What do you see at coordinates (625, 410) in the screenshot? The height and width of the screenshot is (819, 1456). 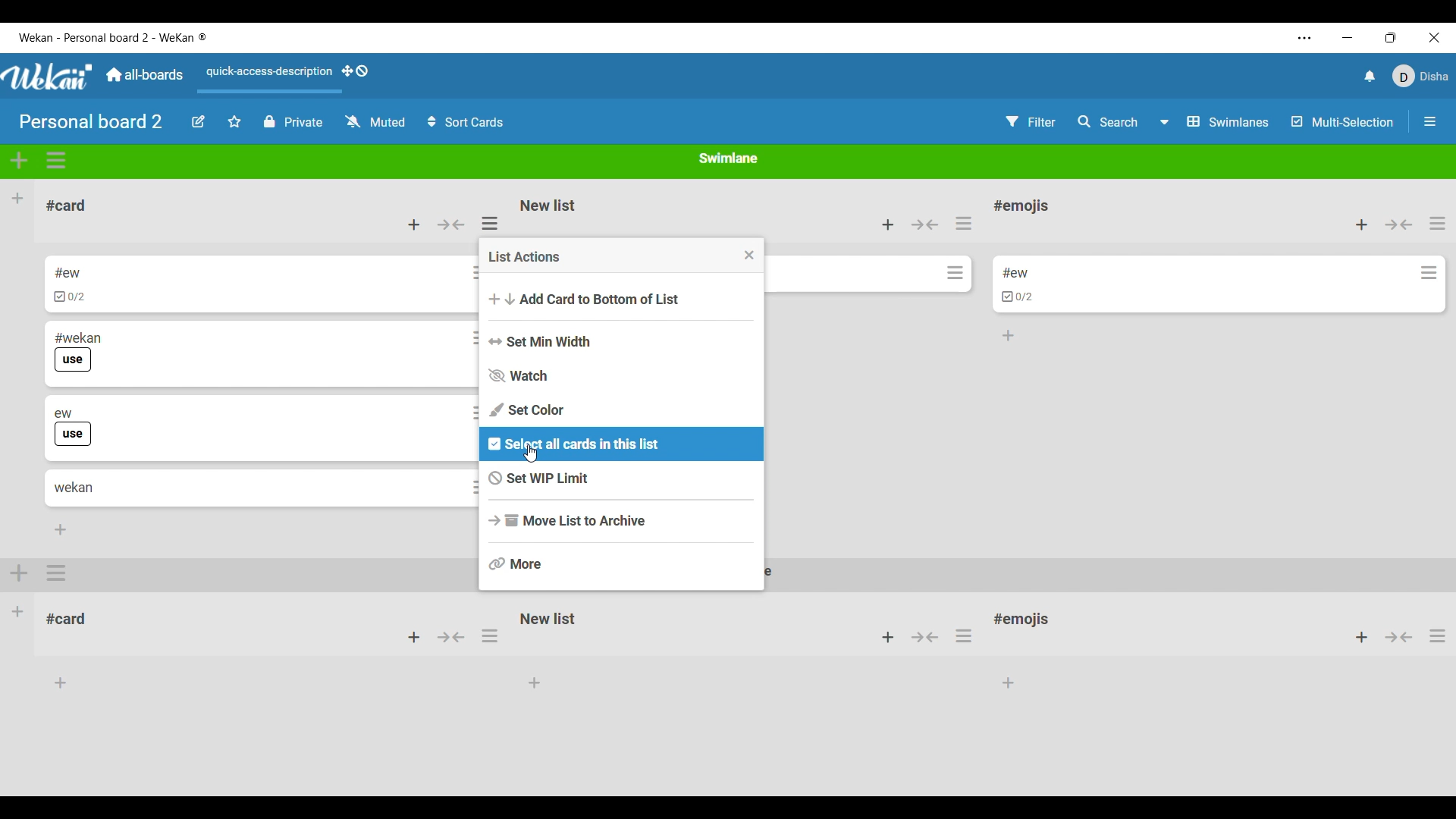 I see `Set color` at bounding box center [625, 410].